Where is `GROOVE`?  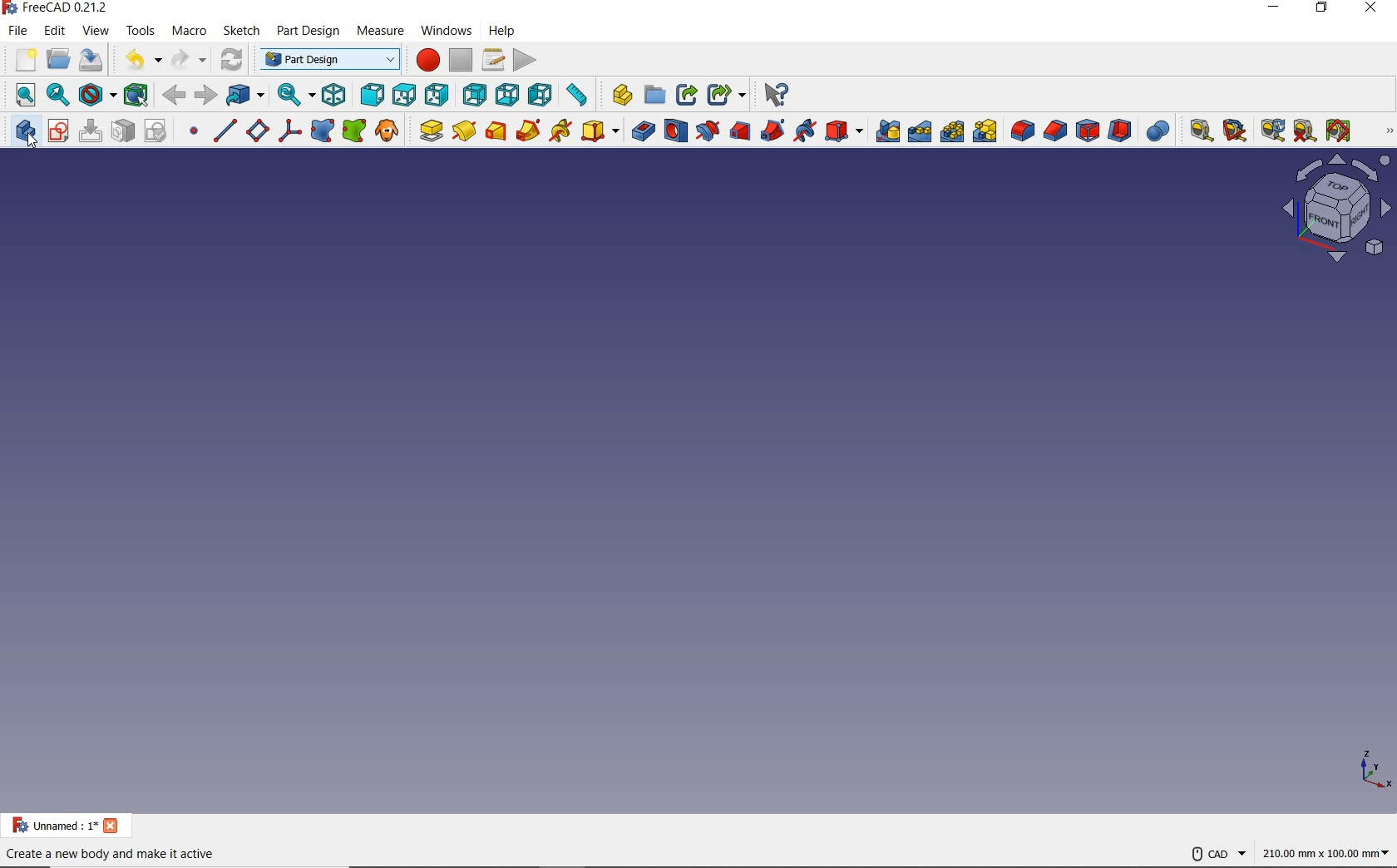
GROOVE is located at coordinates (708, 131).